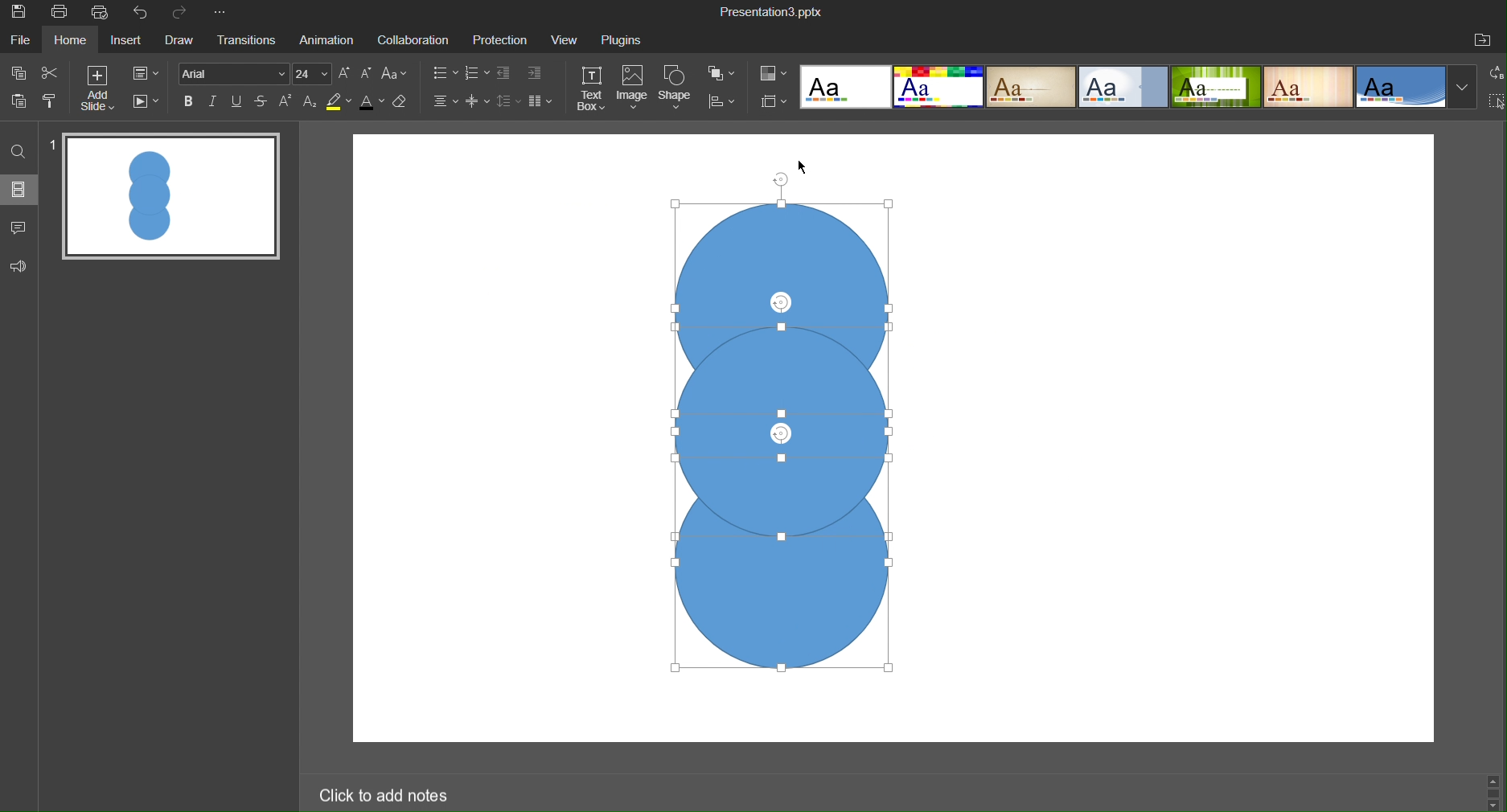 Image resolution: width=1507 pixels, height=812 pixels. Describe the element at coordinates (371, 105) in the screenshot. I see `Text Color` at that location.